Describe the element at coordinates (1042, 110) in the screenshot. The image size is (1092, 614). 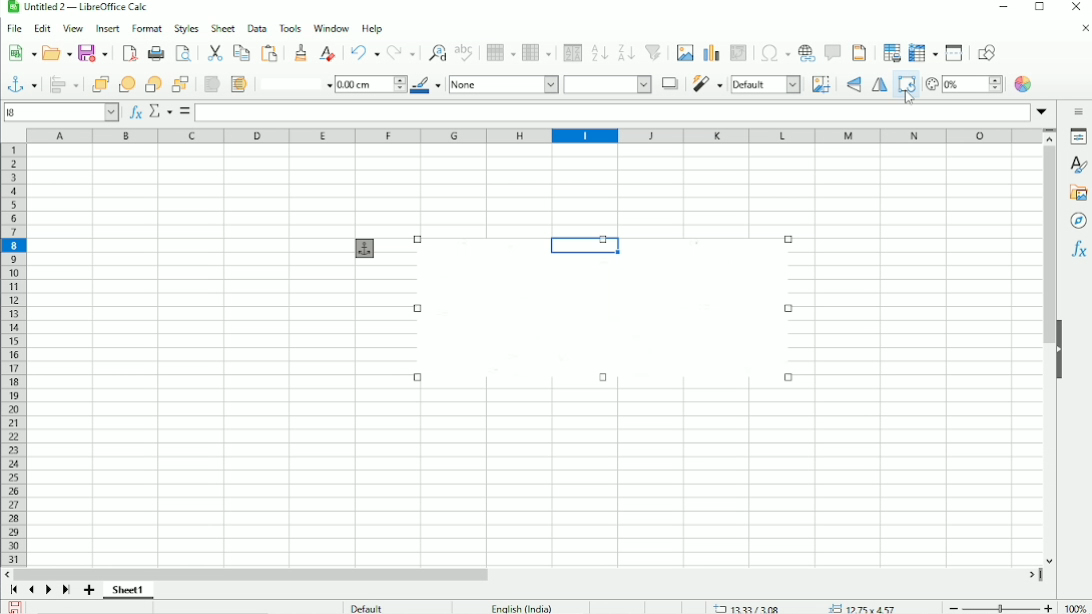
I see `Expand formula bar` at that location.